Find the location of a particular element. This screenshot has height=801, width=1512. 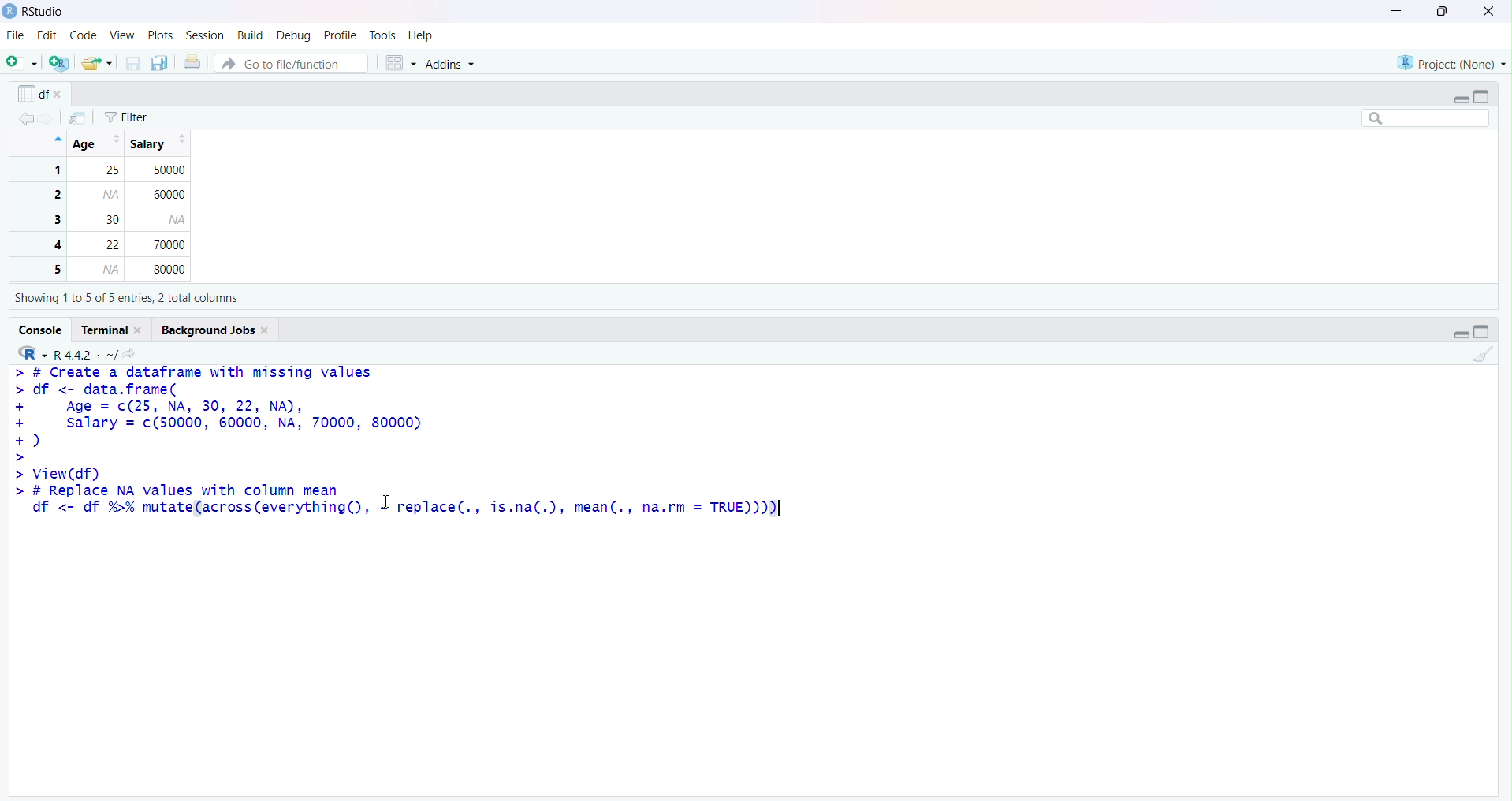

RStudio is located at coordinates (42, 12).